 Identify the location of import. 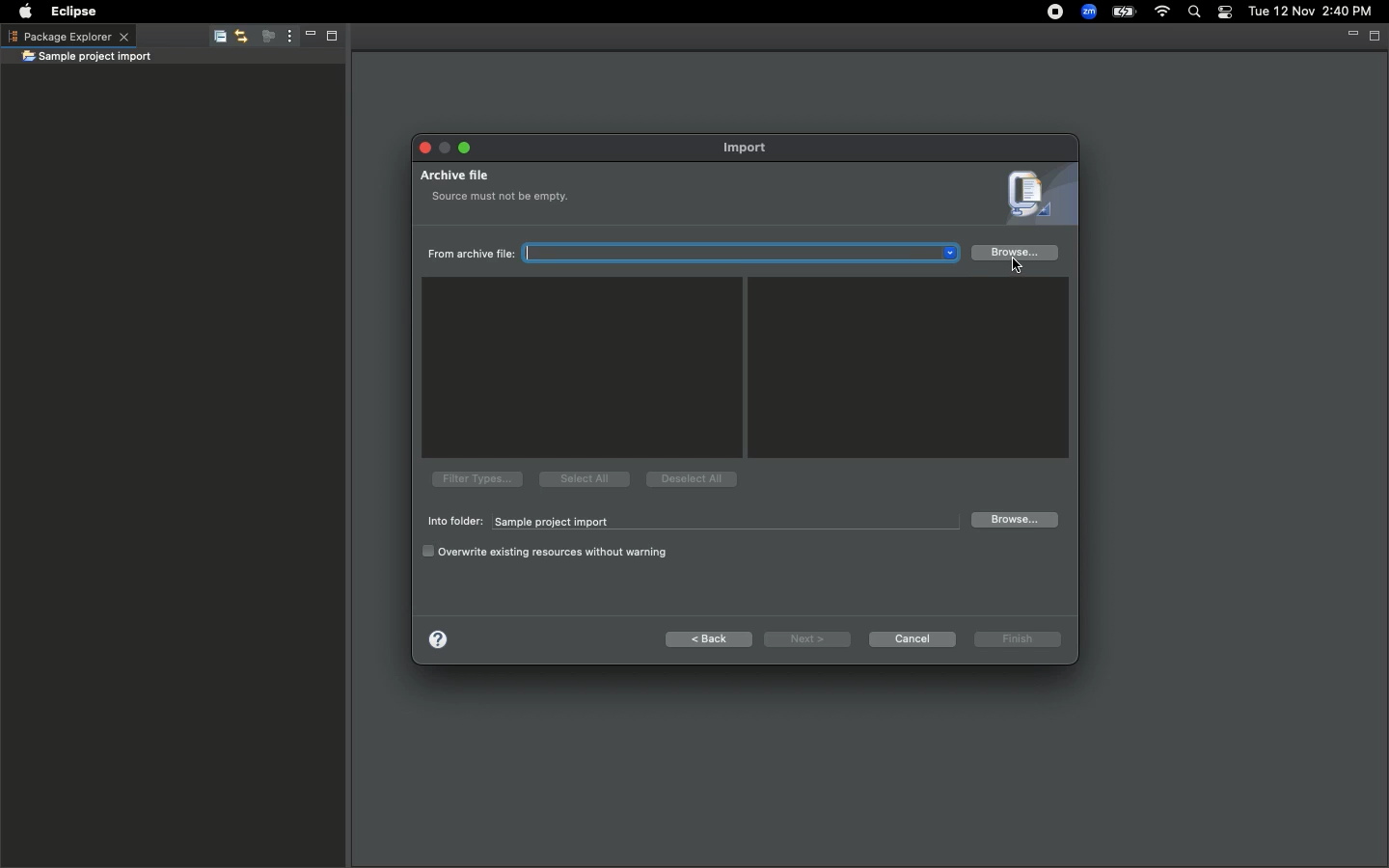
(750, 148).